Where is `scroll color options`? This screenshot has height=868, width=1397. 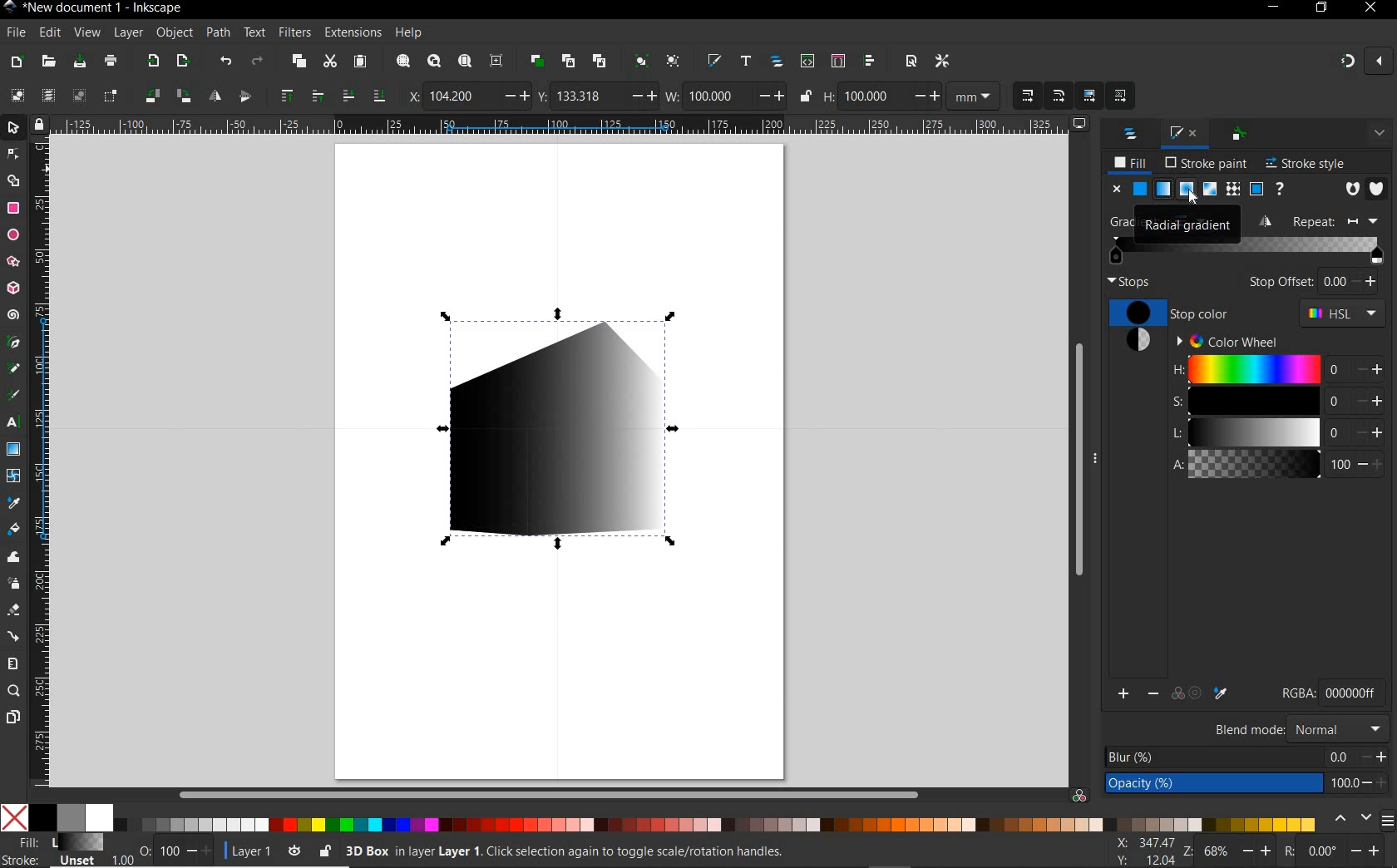 scroll color options is located at coordinates (1350, 819).